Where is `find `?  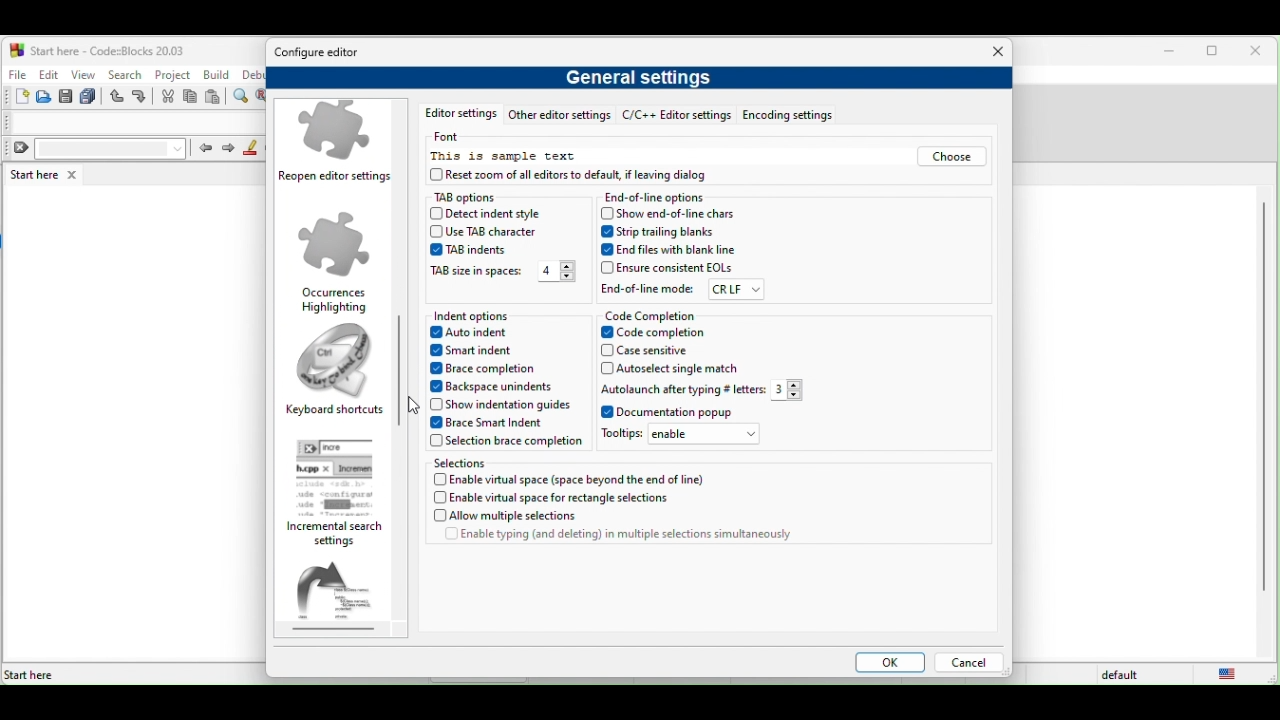
find  is located at coordinates (243, 97).